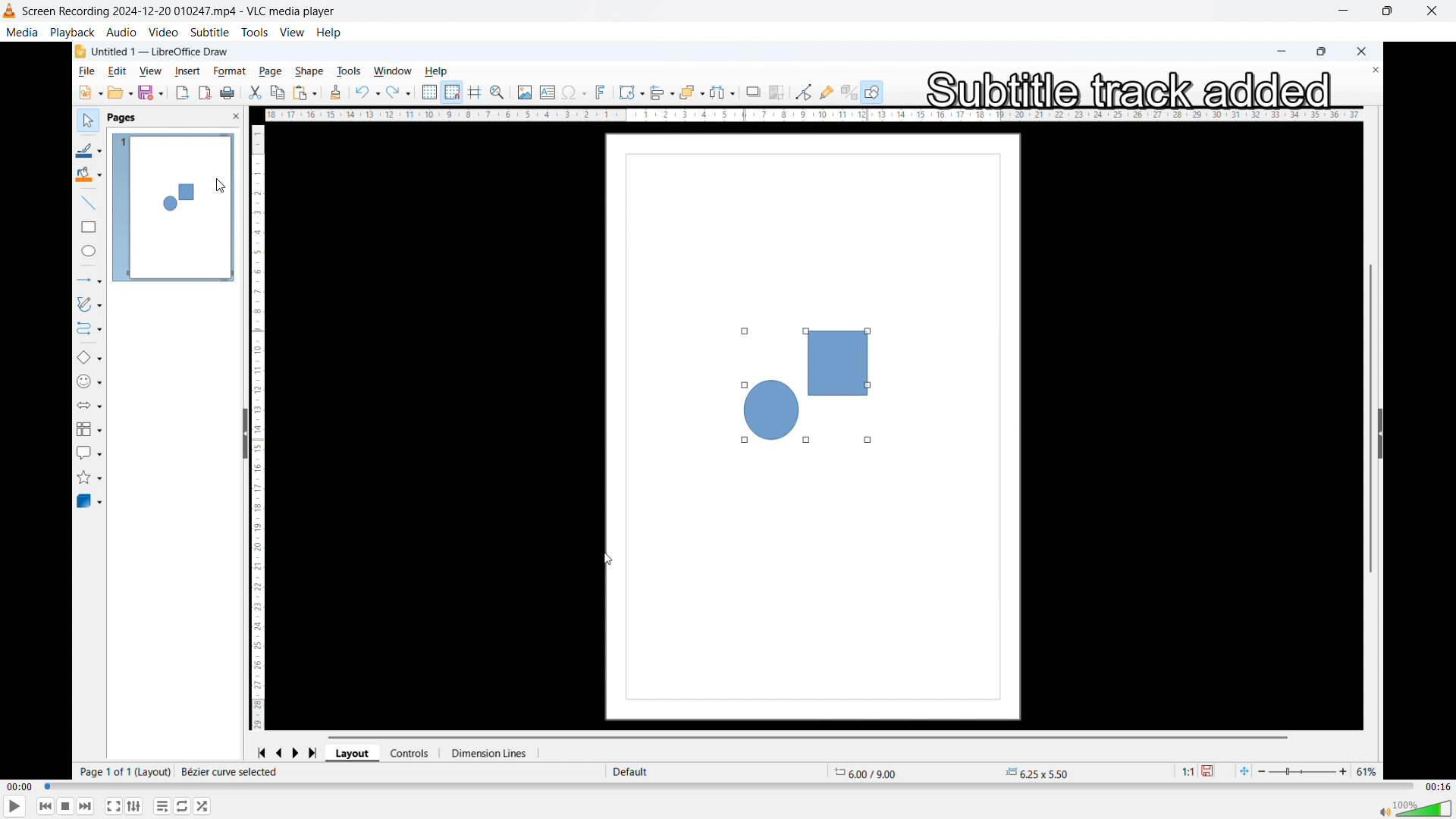  What do you see at coordinates (90, 359) in the screenshot?
I see `basic shapes` at bounding box center [90, 359].